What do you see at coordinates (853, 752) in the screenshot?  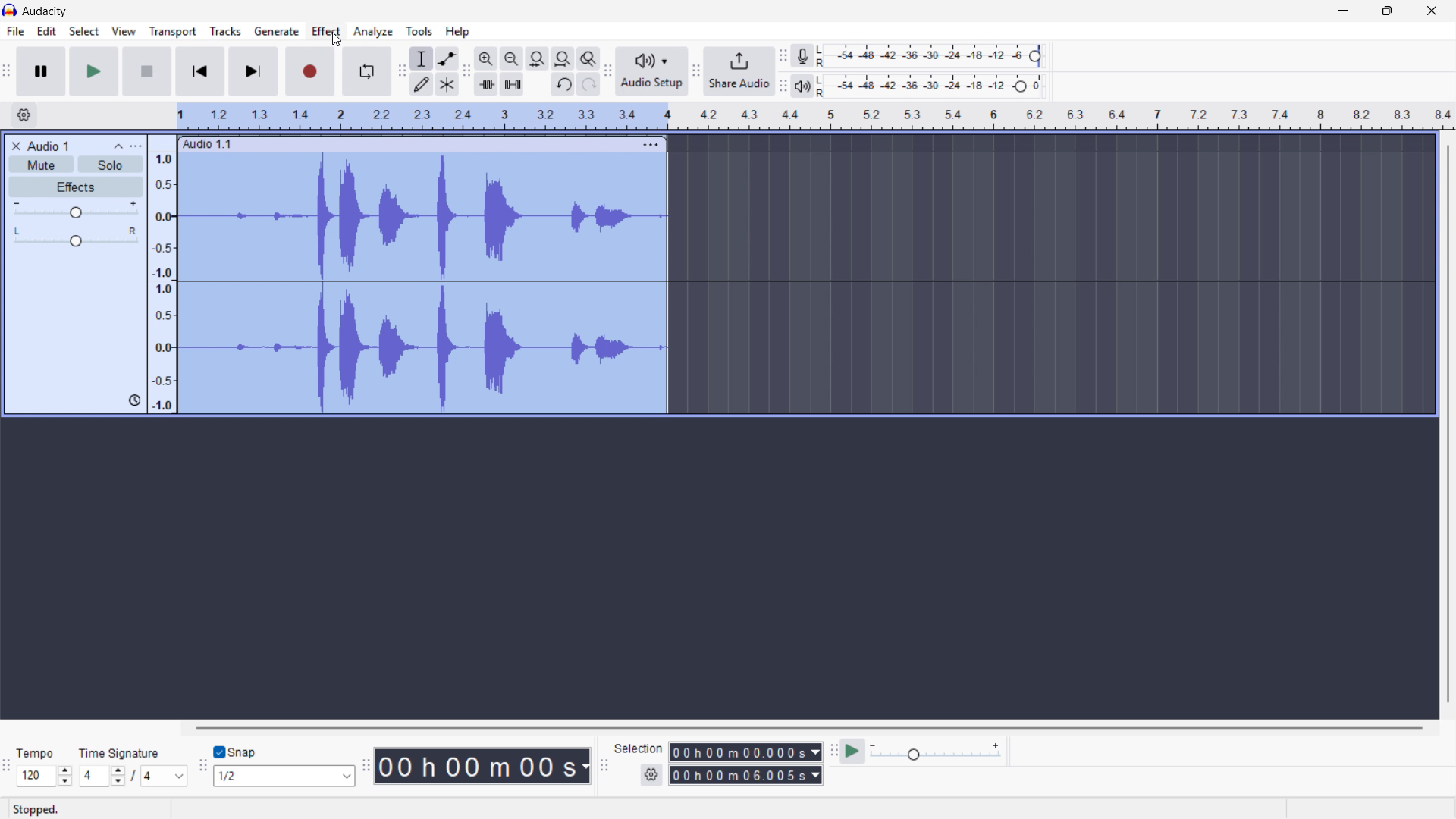 I see `Play at speed` at bounding box center [853, 752].